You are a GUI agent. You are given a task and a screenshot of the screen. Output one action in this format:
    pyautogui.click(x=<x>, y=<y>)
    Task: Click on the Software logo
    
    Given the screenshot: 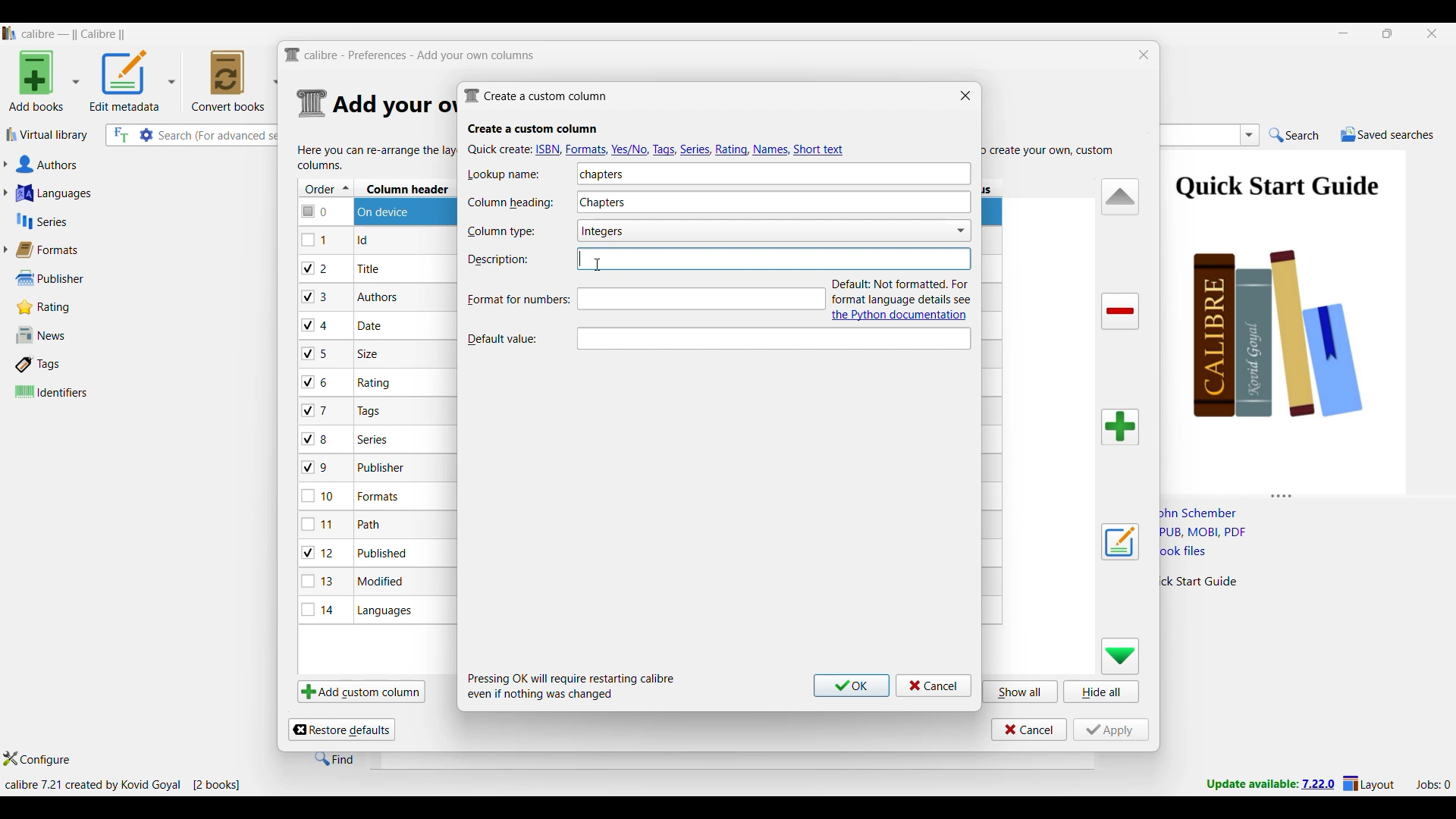 What is the action you would take?
    pyautogui.click(x=10, y=33)
    